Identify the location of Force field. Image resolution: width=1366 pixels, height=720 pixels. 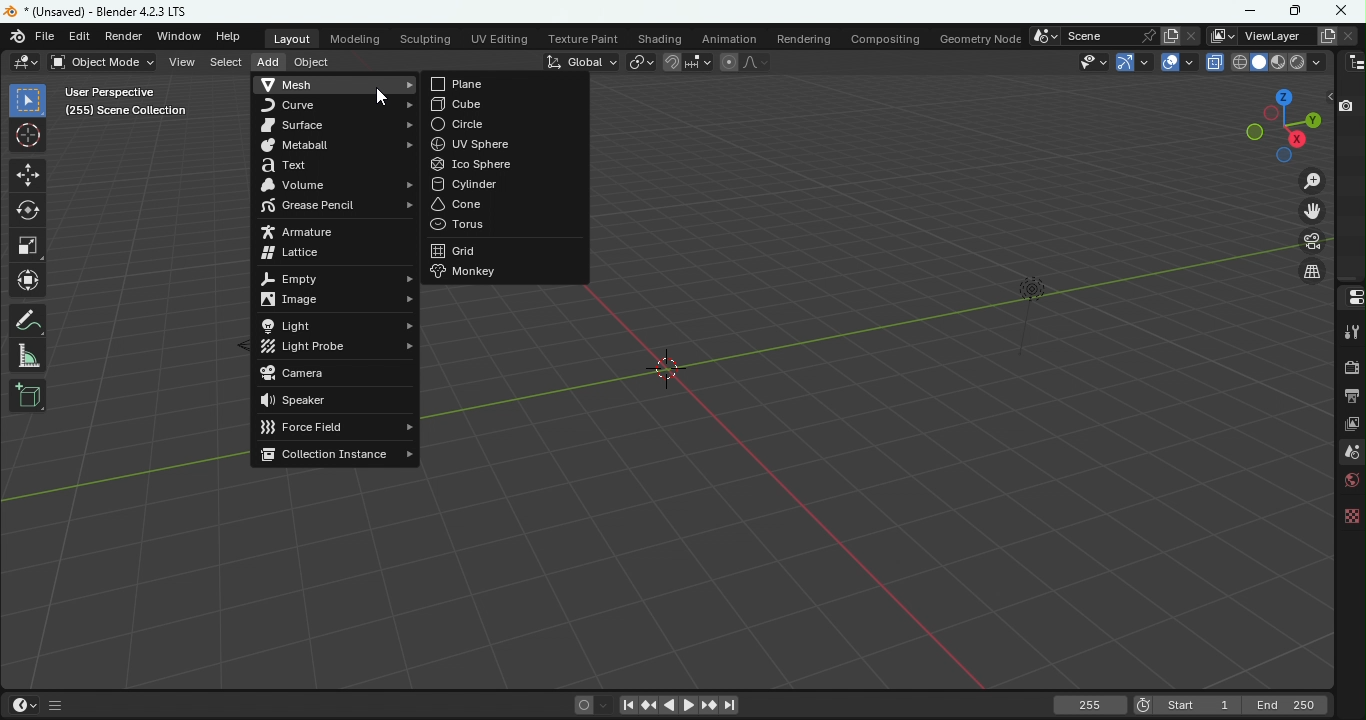
(331, 429).